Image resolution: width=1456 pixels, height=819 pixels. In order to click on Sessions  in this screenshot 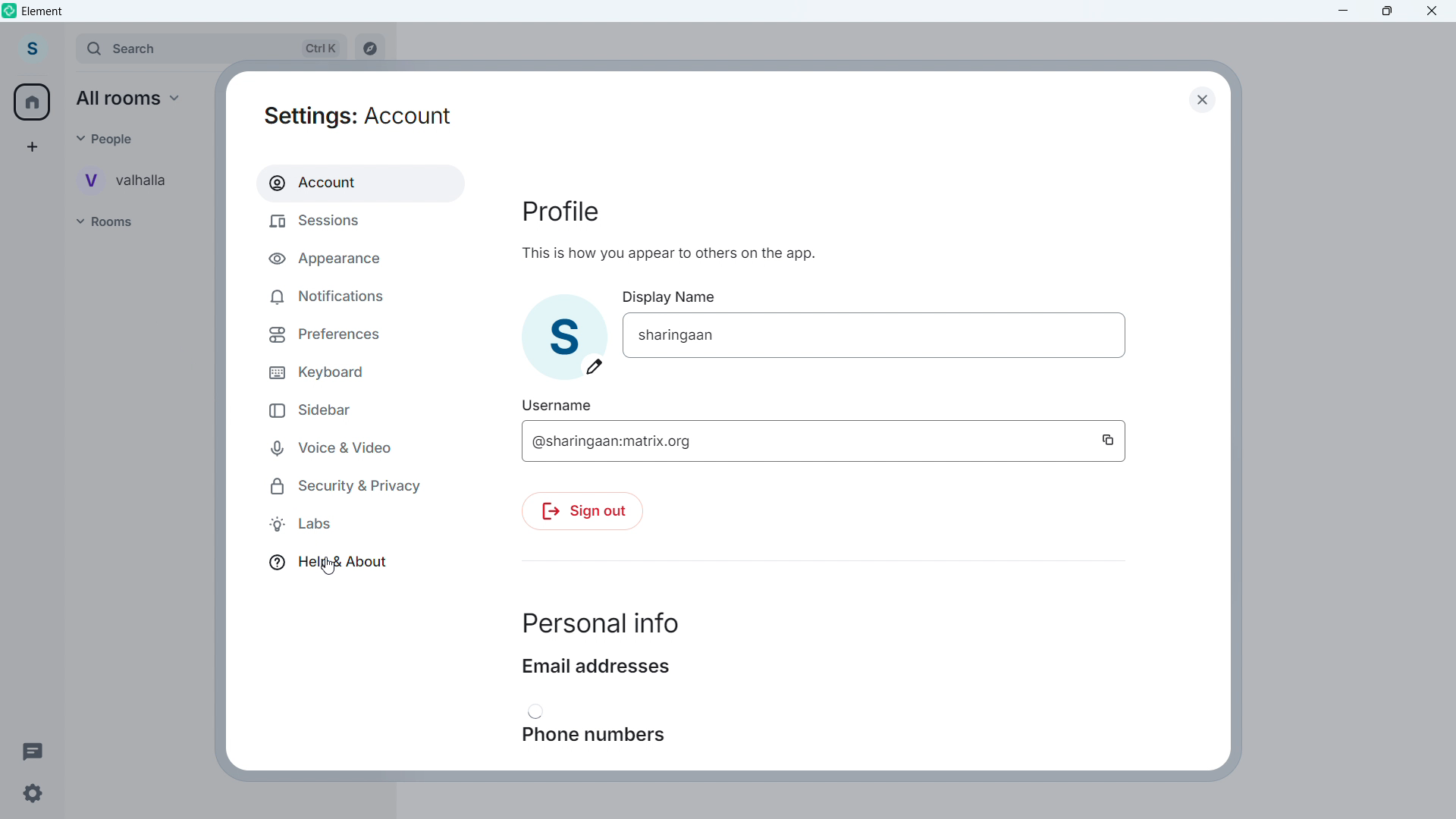, I will do `click(350, 219)`.